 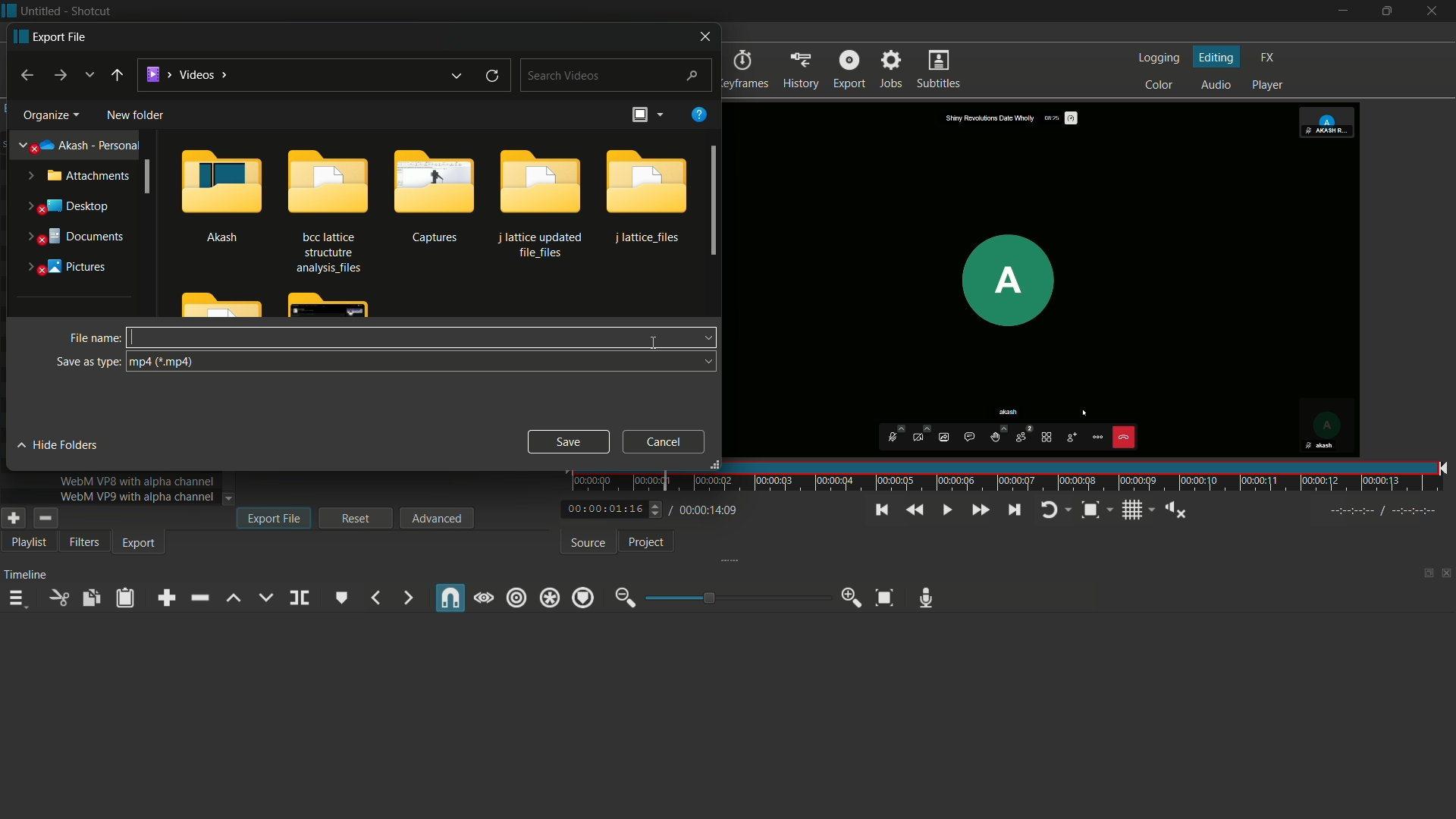 What do you see at coordinates (14, 519) in the screenshot?
I see `add export preset` at bounding box center [14, 519].